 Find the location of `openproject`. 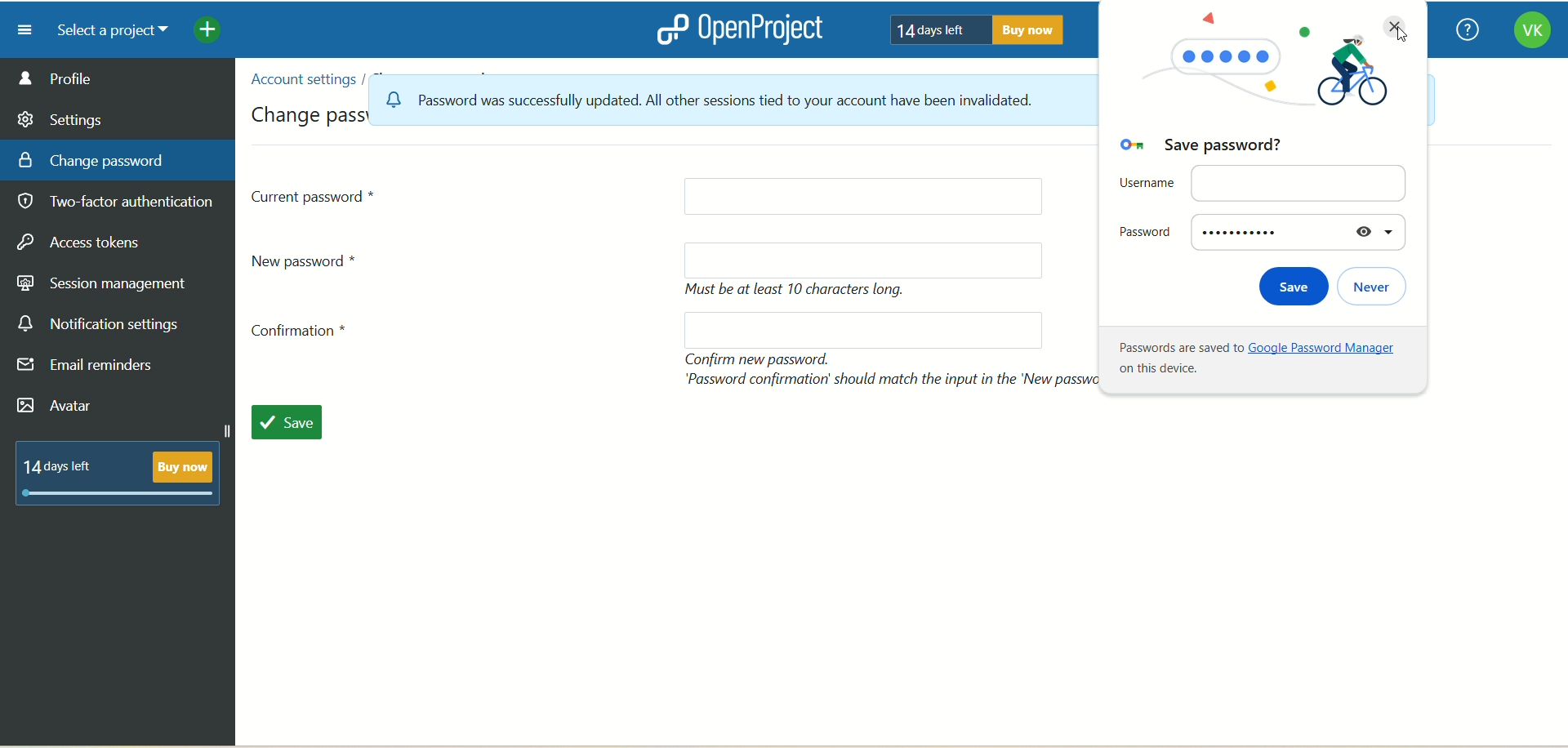

openproject is located at coordinates (736, 29).